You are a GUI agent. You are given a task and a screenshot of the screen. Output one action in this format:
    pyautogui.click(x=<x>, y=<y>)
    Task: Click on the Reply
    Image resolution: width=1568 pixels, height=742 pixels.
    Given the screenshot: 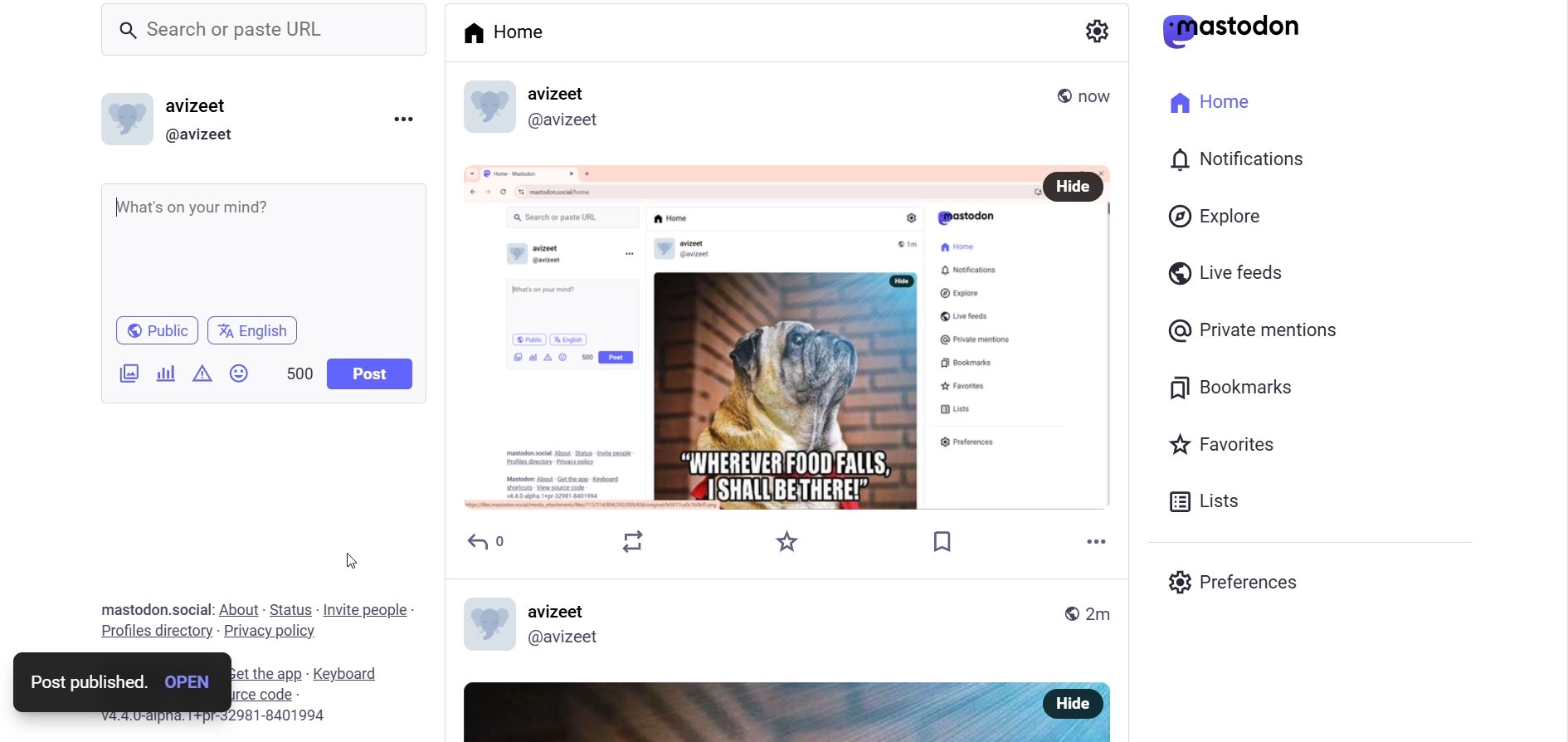 What is the action you would take?
    pyautogui.click(x=487, y=543)
    